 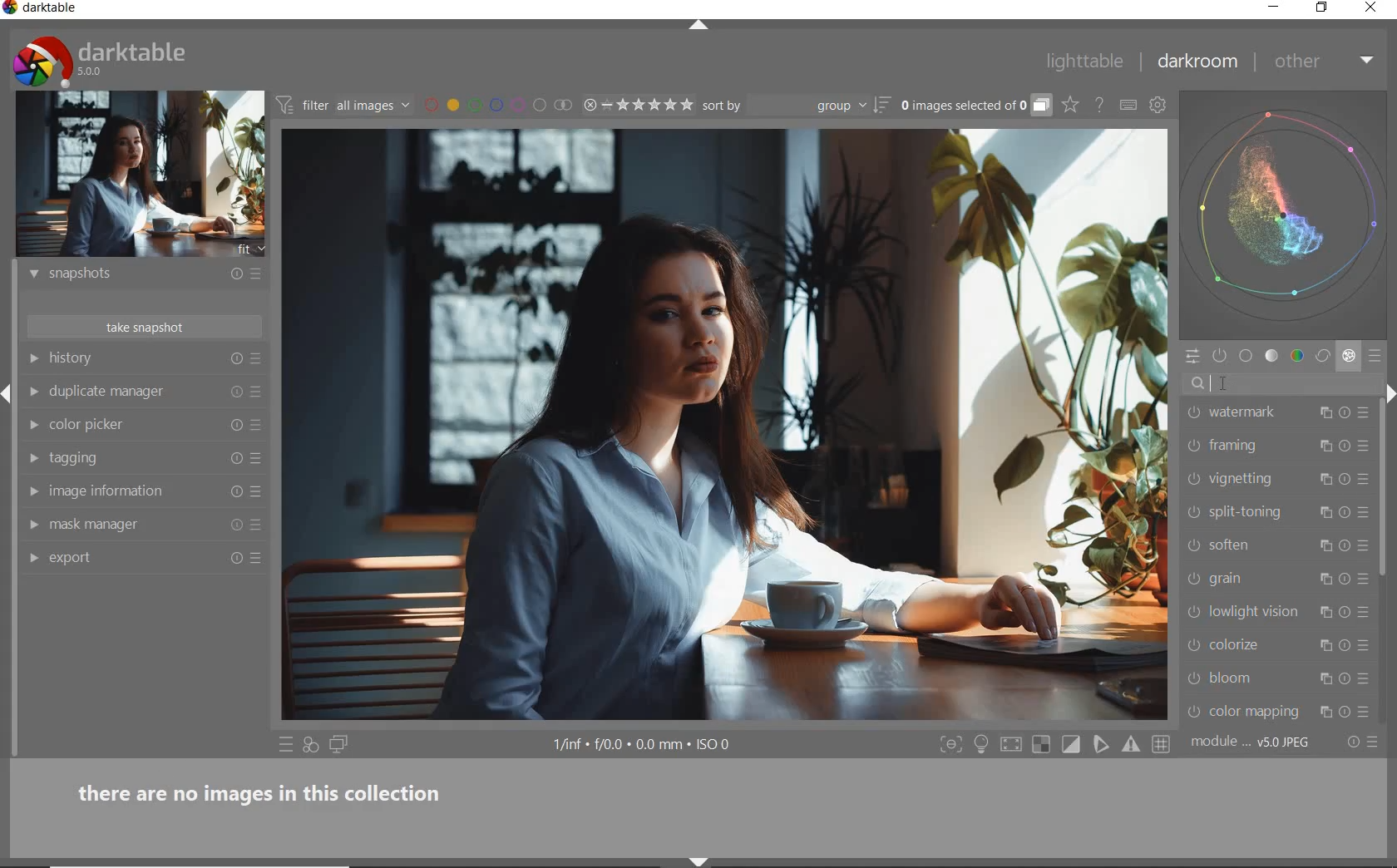 I want to click on quick access to preset, so click(x=286, y=744).